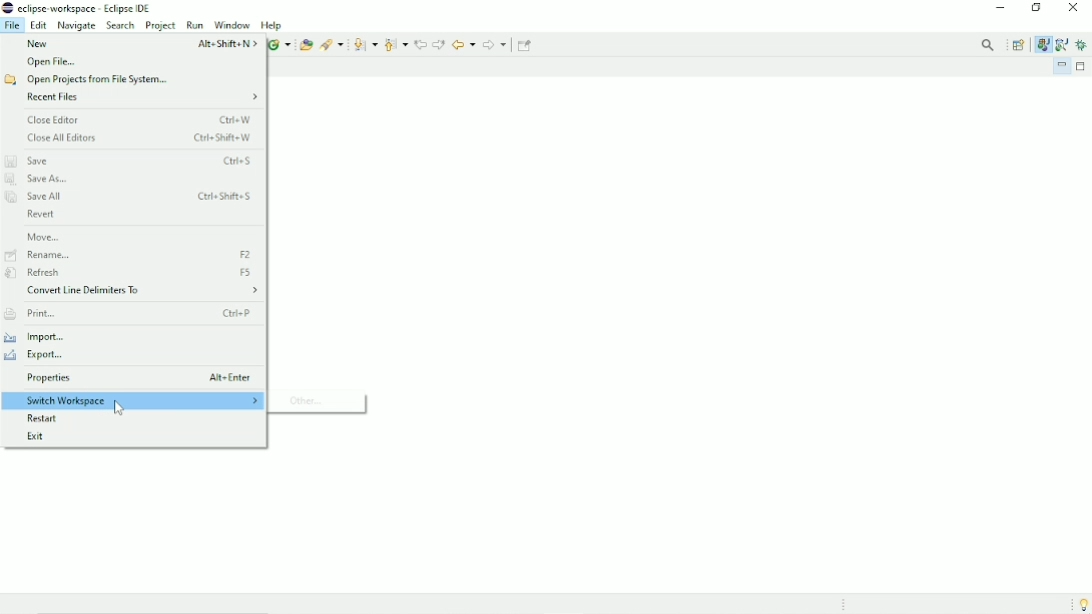  I want to click on File, so click(12, 25).